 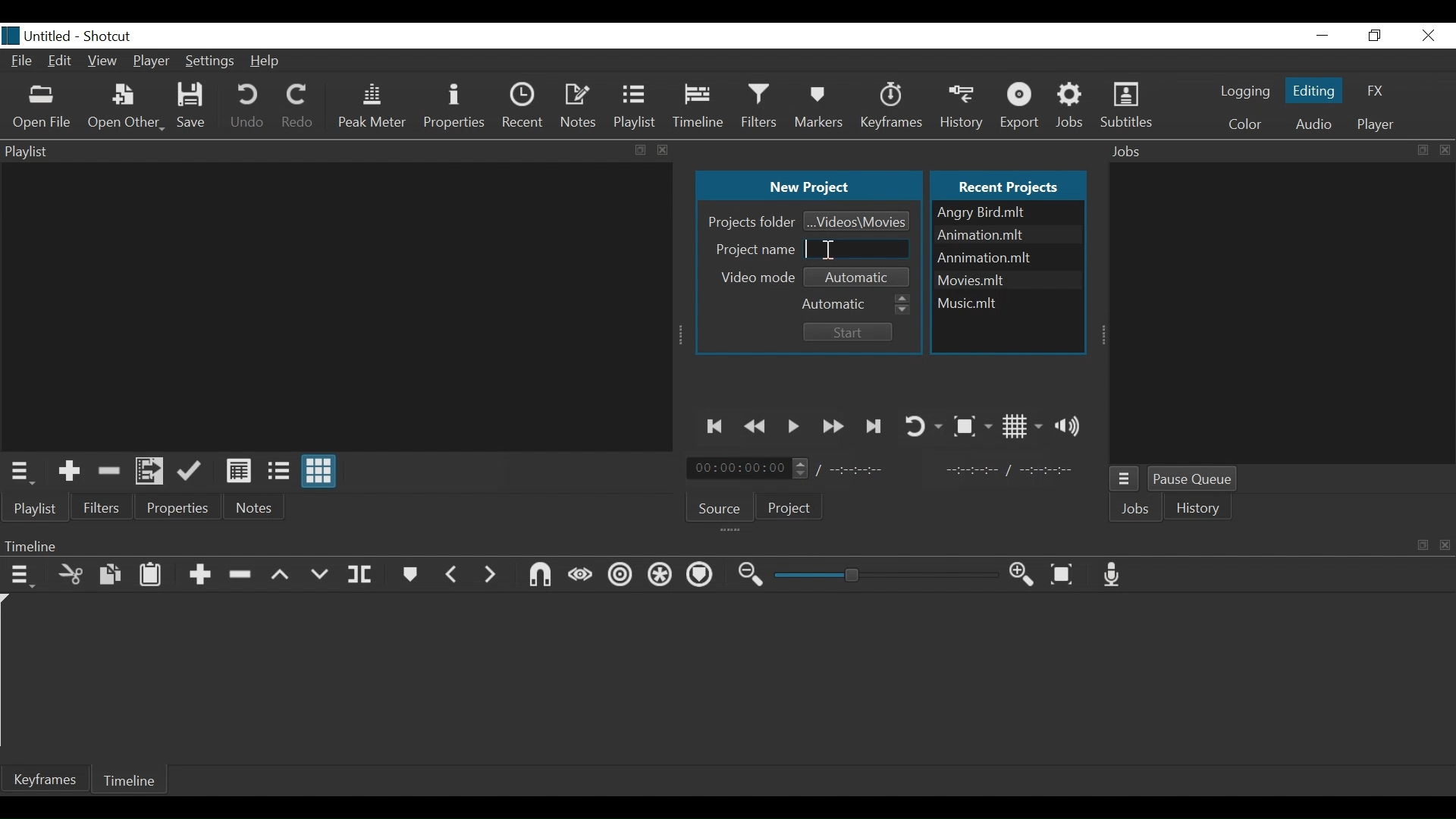 I want to click on File name, so click(x=1006, y=300).